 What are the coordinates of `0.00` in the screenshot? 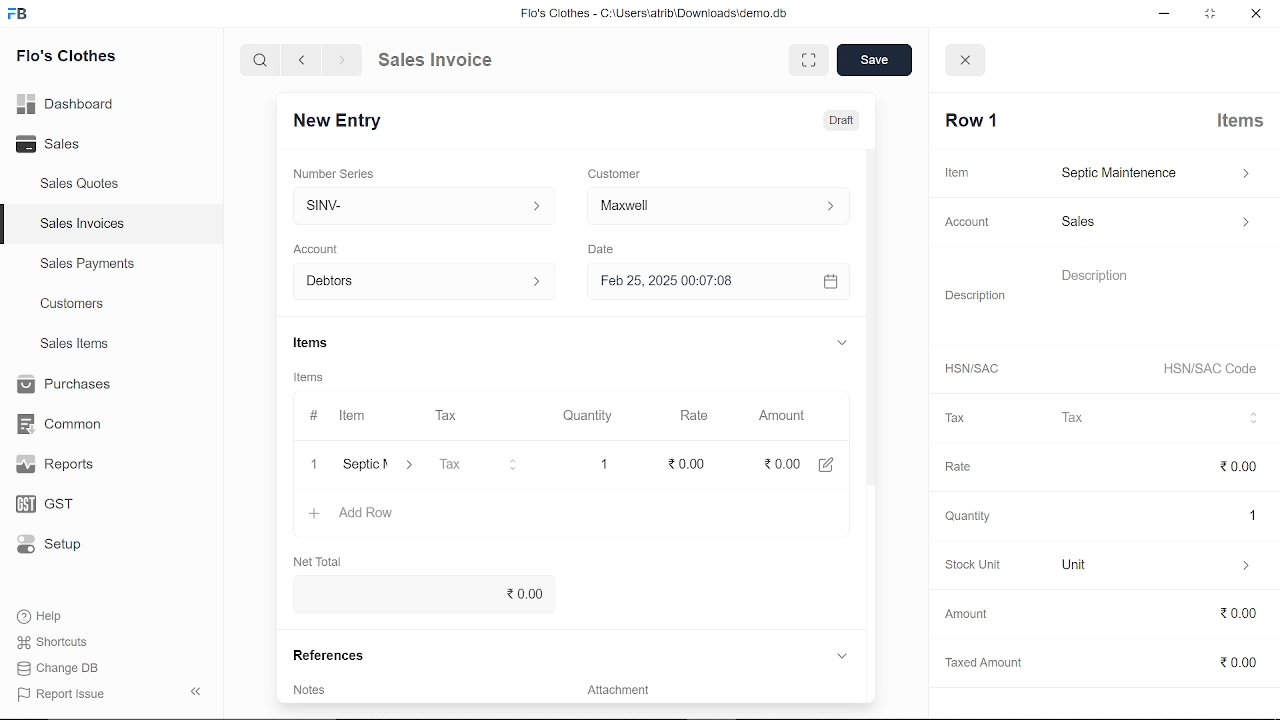 It's located at (422, 592).